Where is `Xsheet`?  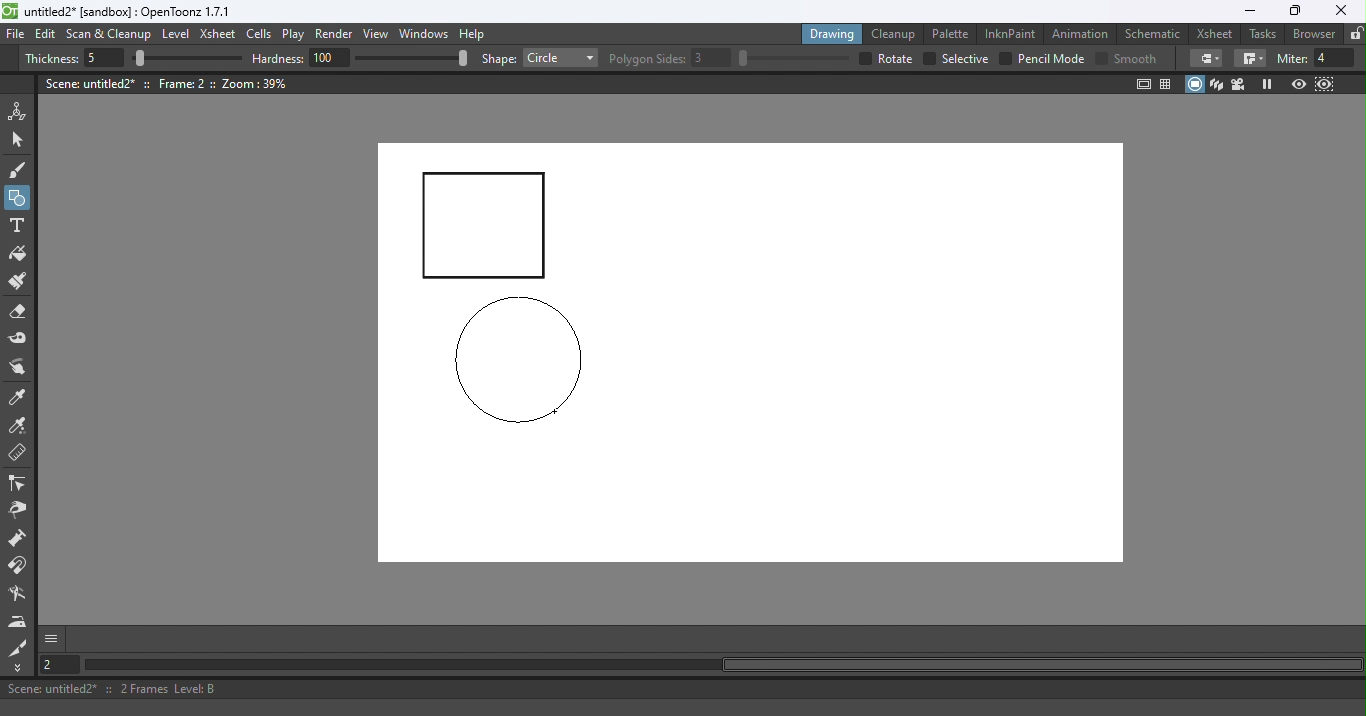 Xsheet is located at coordinates (1217, 33).